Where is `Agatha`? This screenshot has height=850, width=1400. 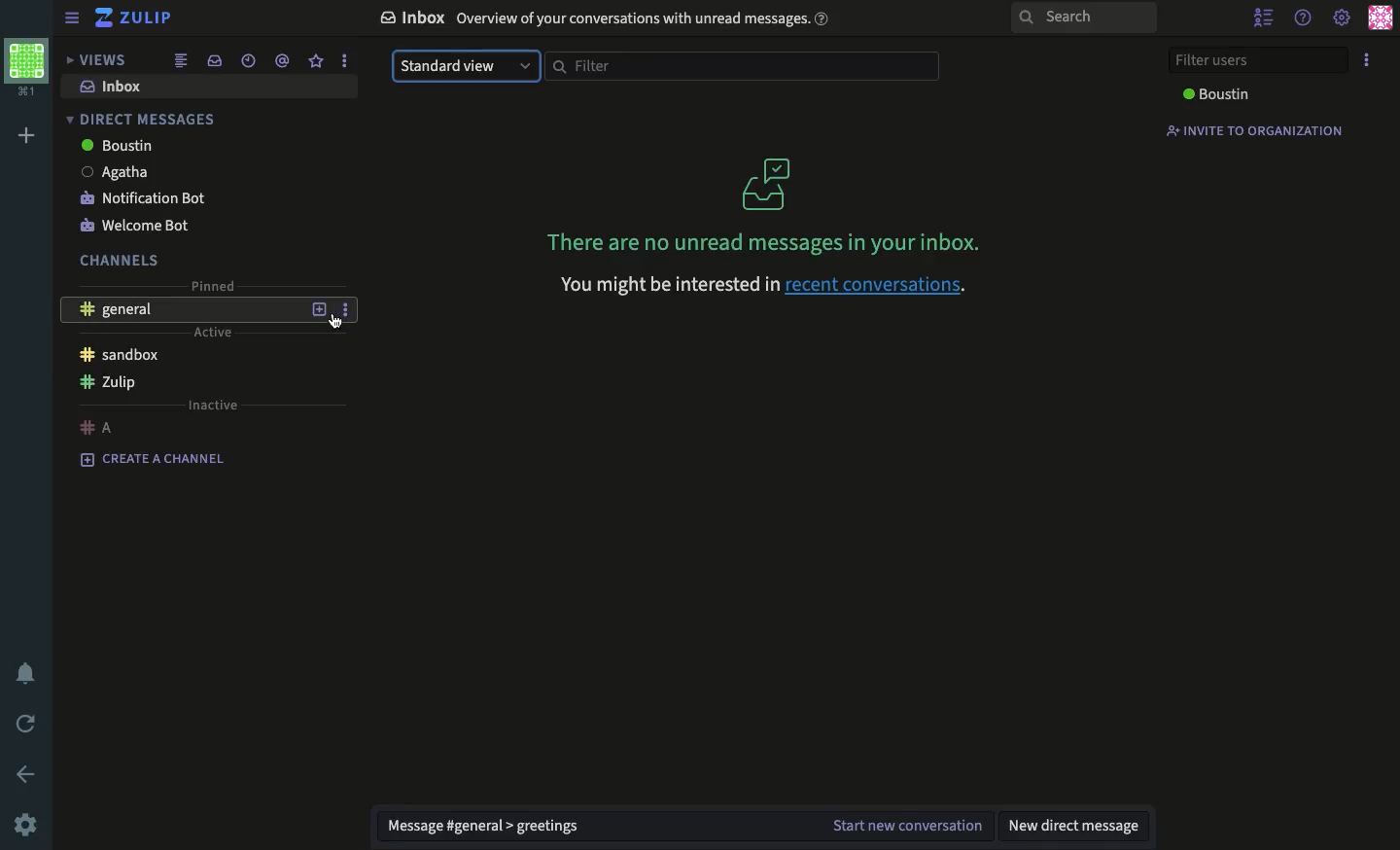
Agatha is located at coordinates (116, 172).